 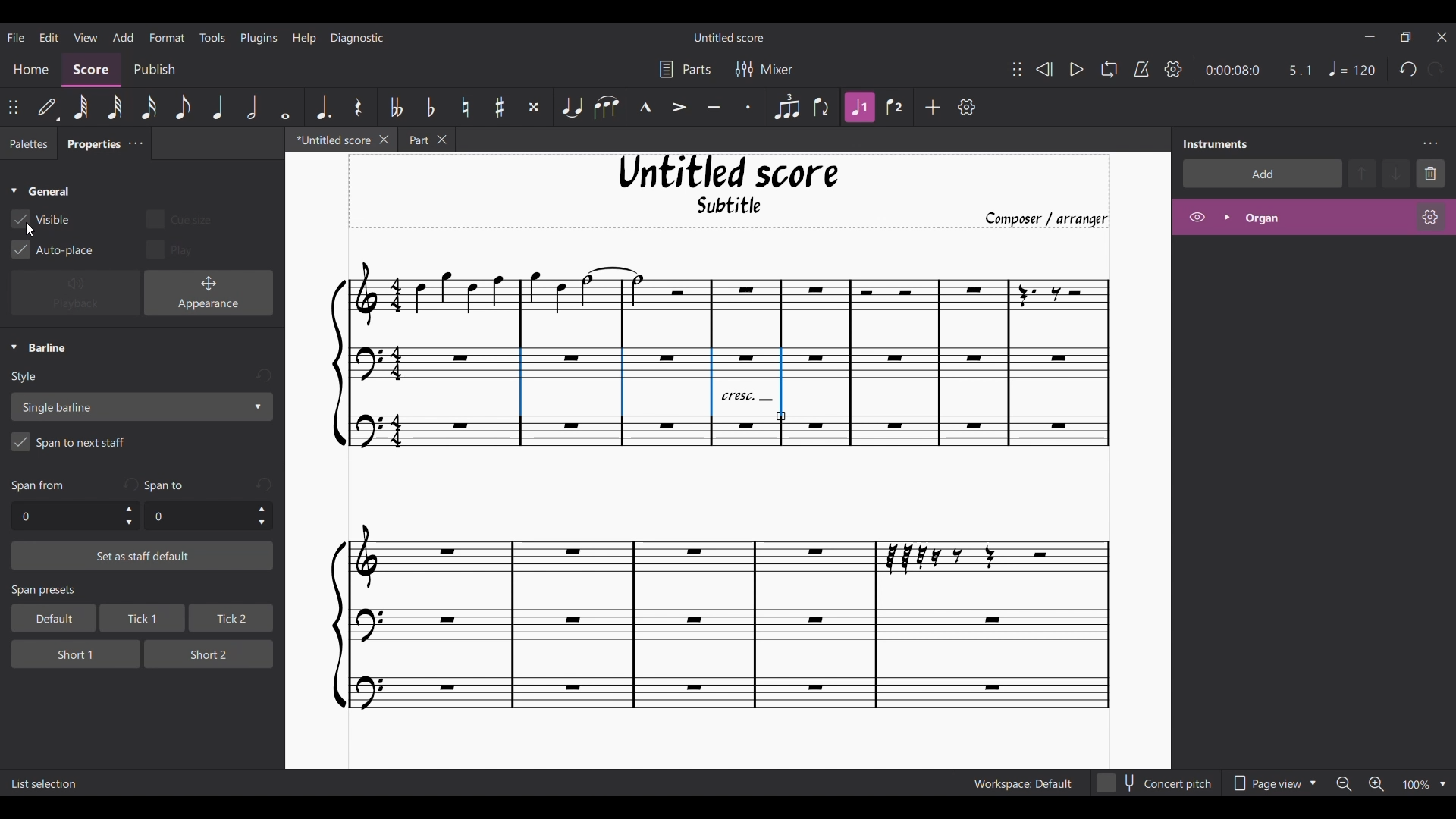 I want to click on Span to next staff, so click(x=142, y=444).